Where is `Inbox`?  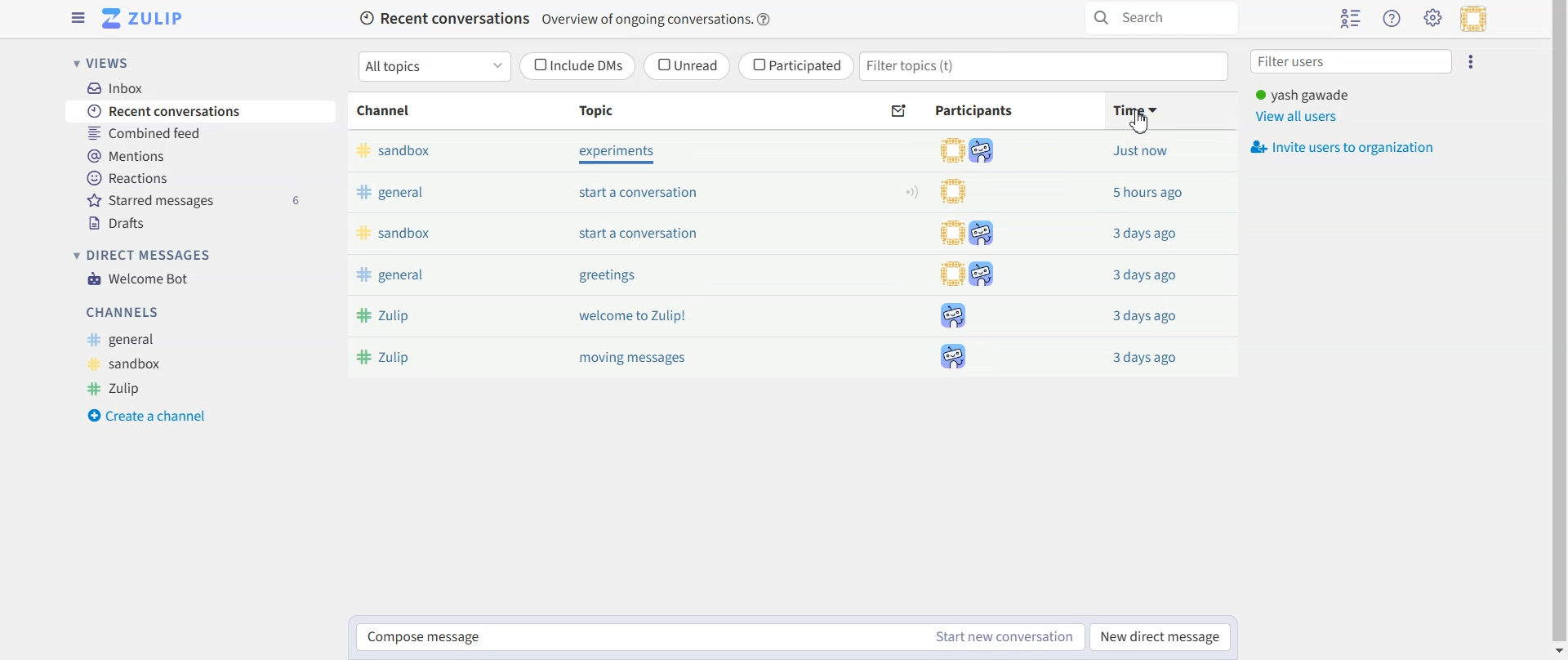
Inbox is located at coordinates (200, 87).